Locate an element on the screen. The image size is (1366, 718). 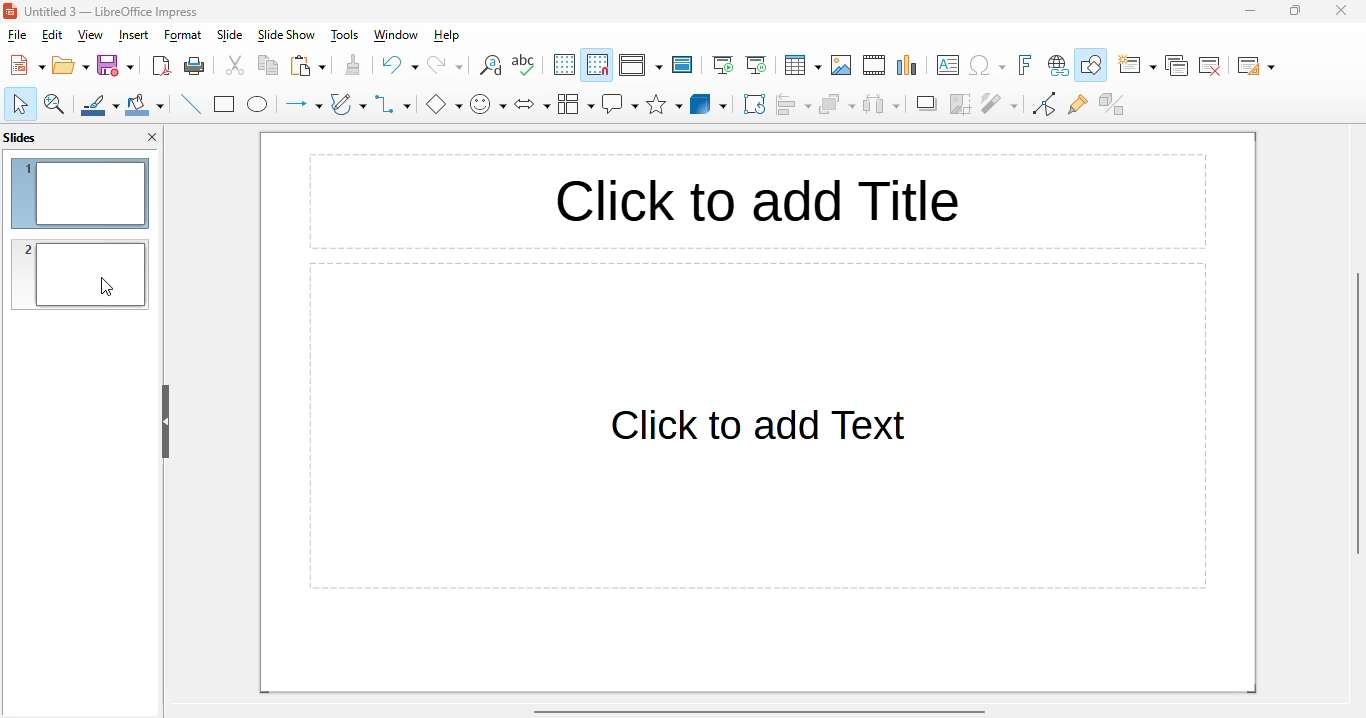
file is located at coordinates (17, 35).